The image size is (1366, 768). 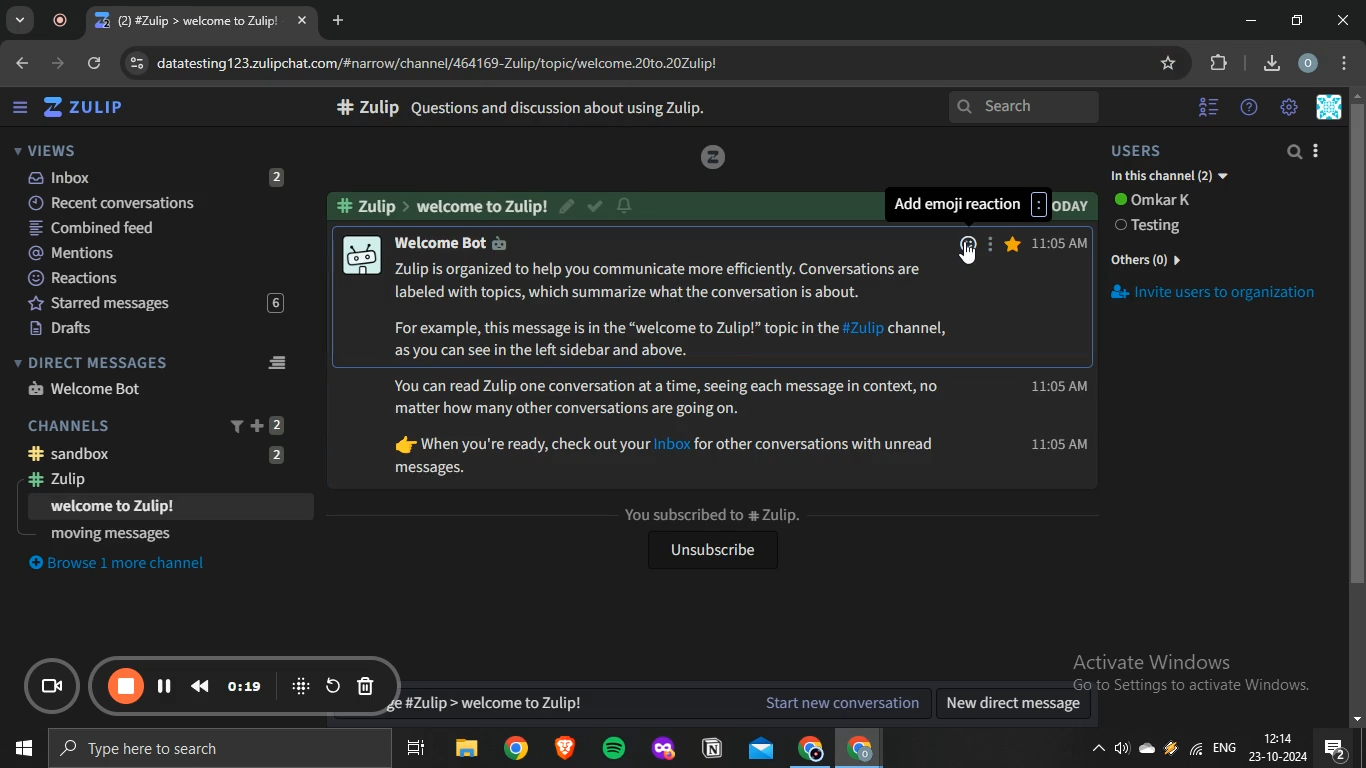 I want to click on combined feed, so click(x=155, y=229).